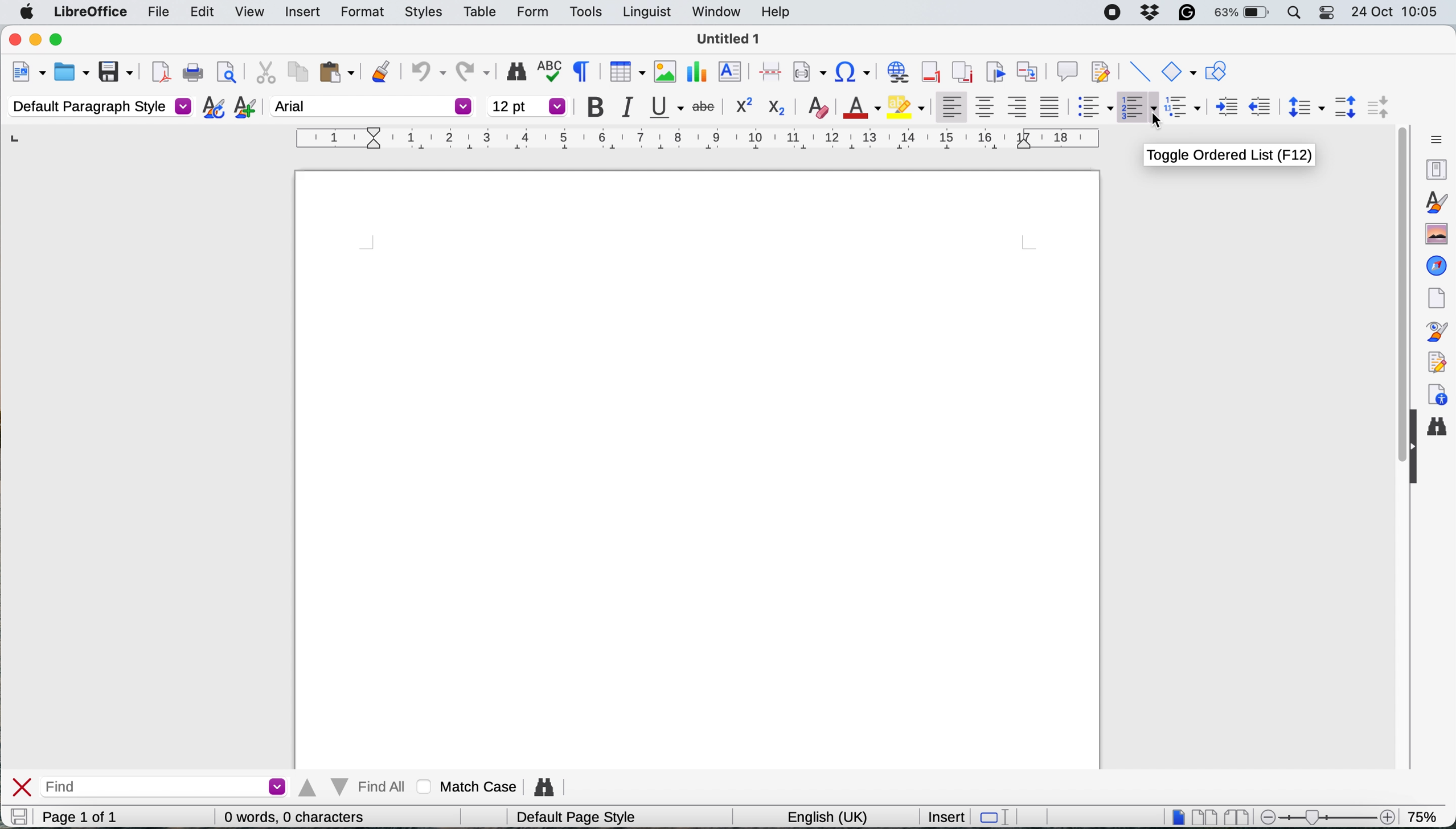  What do you see at coordinates (1433, 361) in the screenshot?
I see `manage changes` at bounding box center [1433, 361].